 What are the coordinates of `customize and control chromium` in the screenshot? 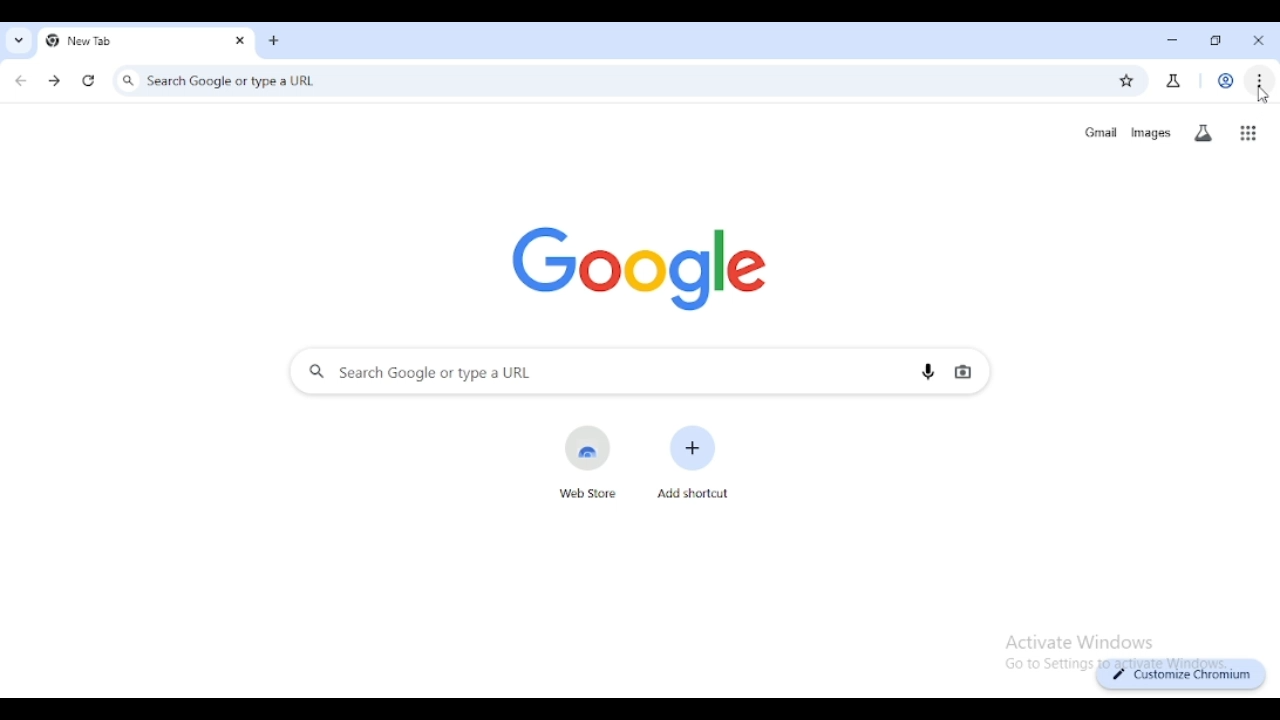 It's located at (1258, 79).